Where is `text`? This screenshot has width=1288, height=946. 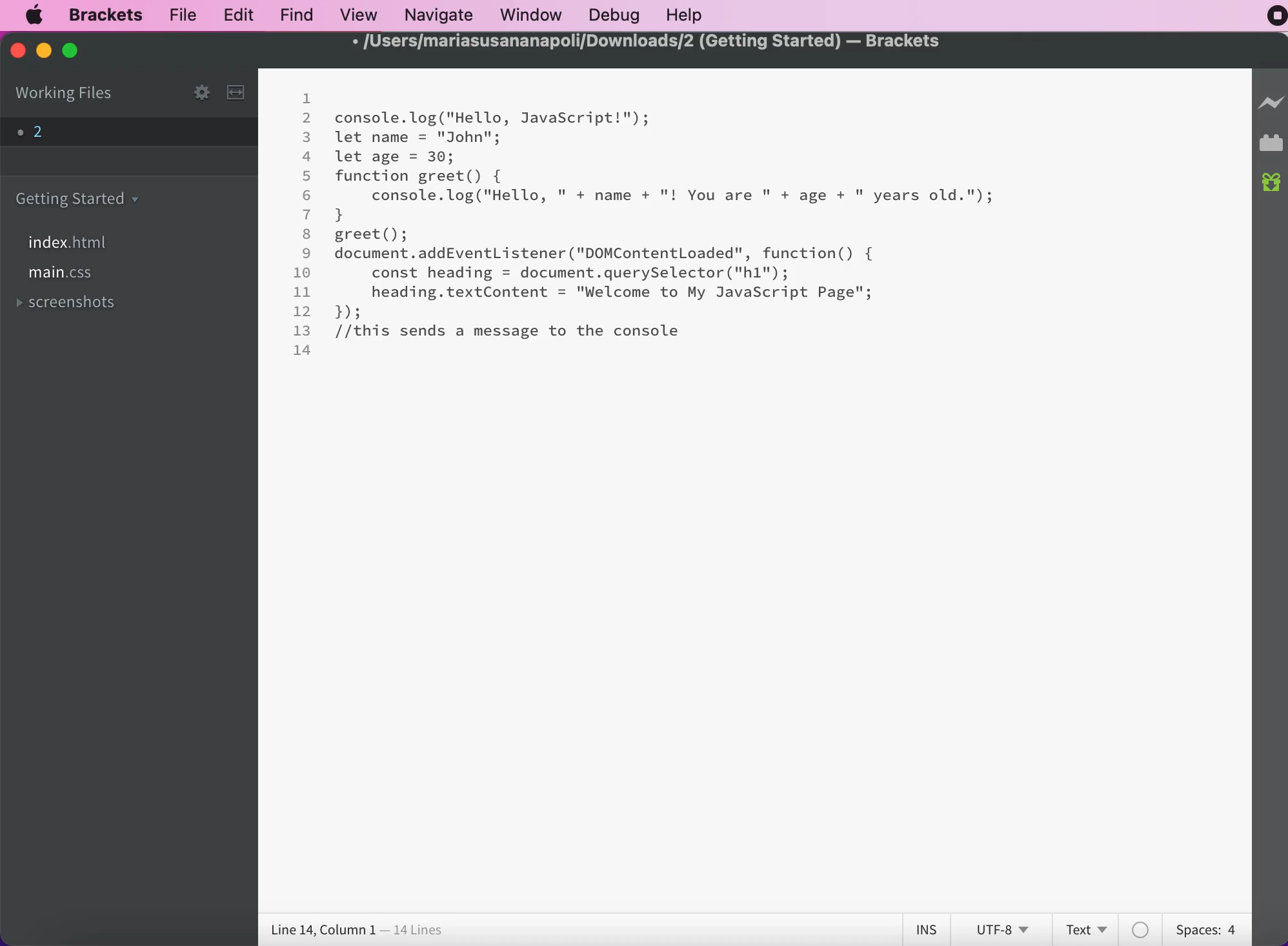 text is located at coordinates (1086, 928).